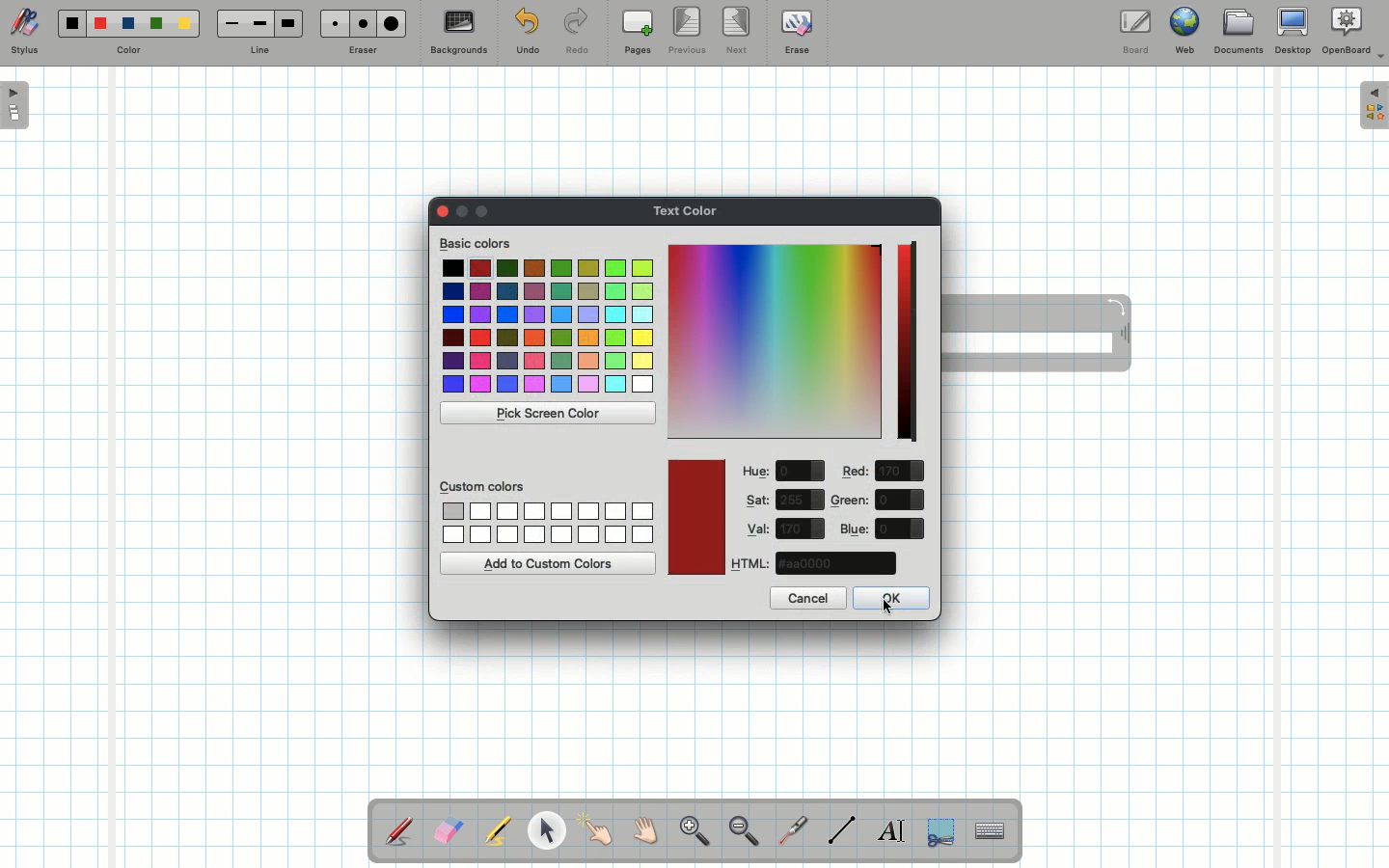  I want to click on Large eraser, so click(392, 23).